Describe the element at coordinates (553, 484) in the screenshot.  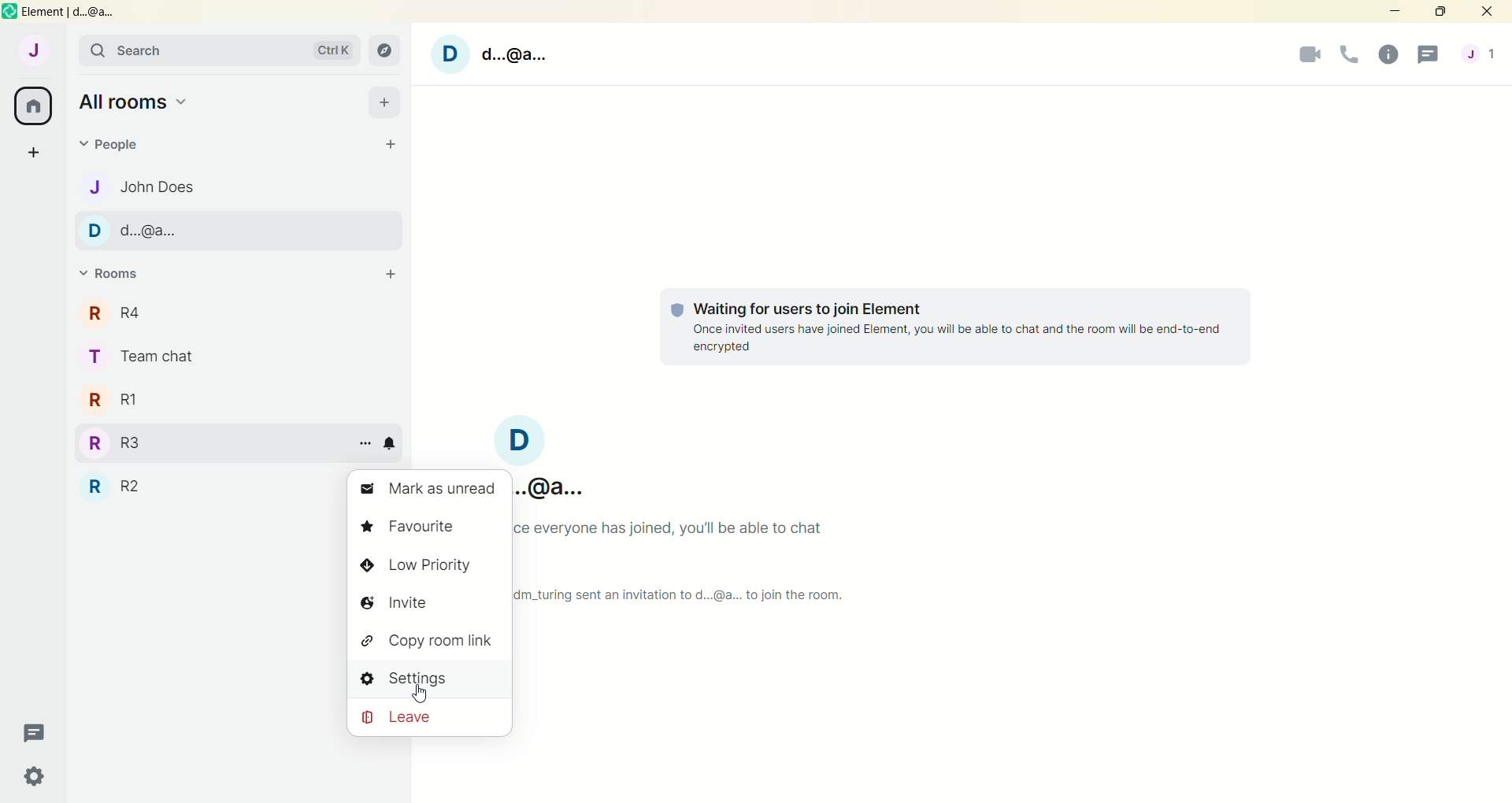
I see `account: d...@a...` at that location.